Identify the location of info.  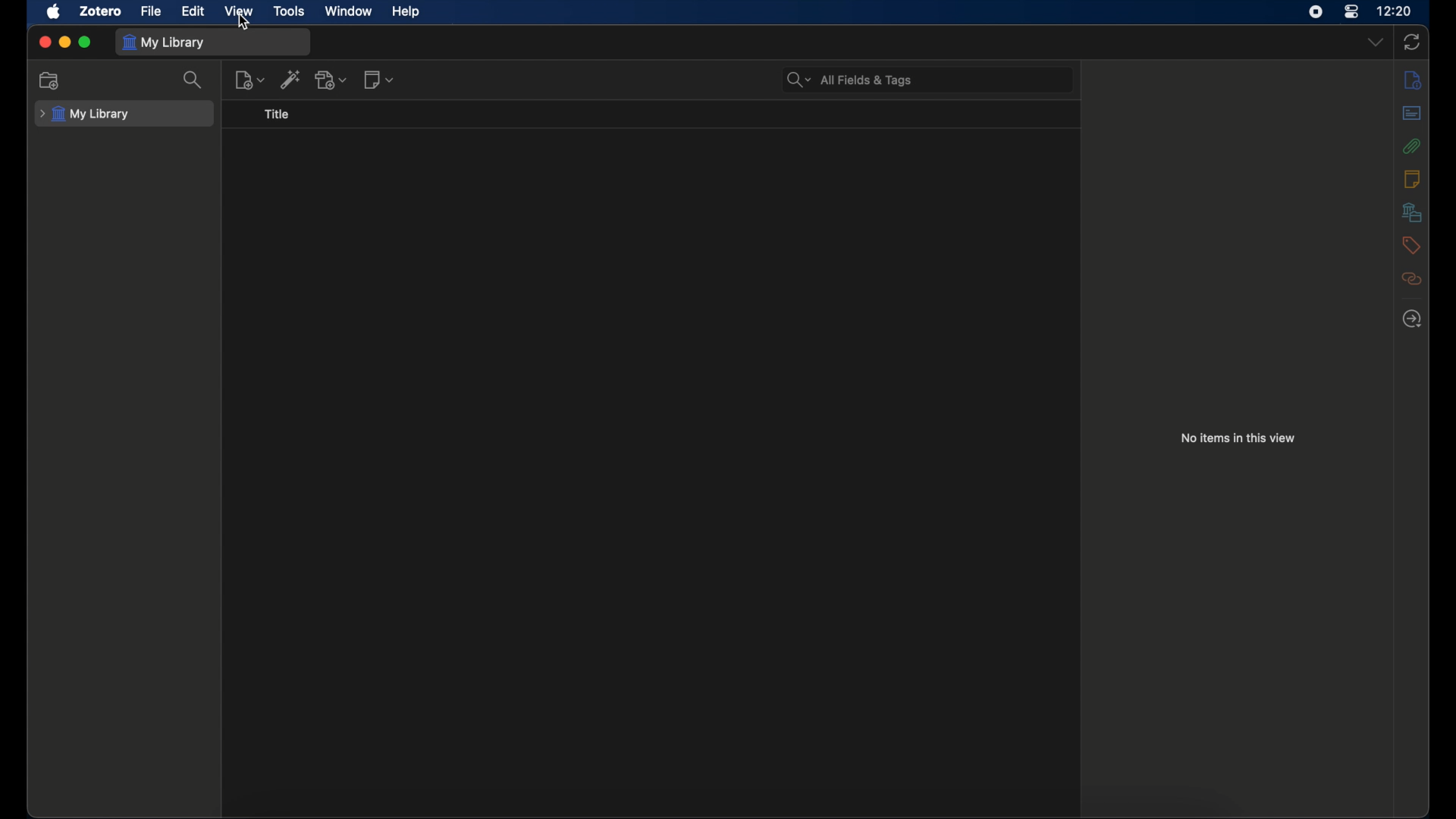
(1414, 80).